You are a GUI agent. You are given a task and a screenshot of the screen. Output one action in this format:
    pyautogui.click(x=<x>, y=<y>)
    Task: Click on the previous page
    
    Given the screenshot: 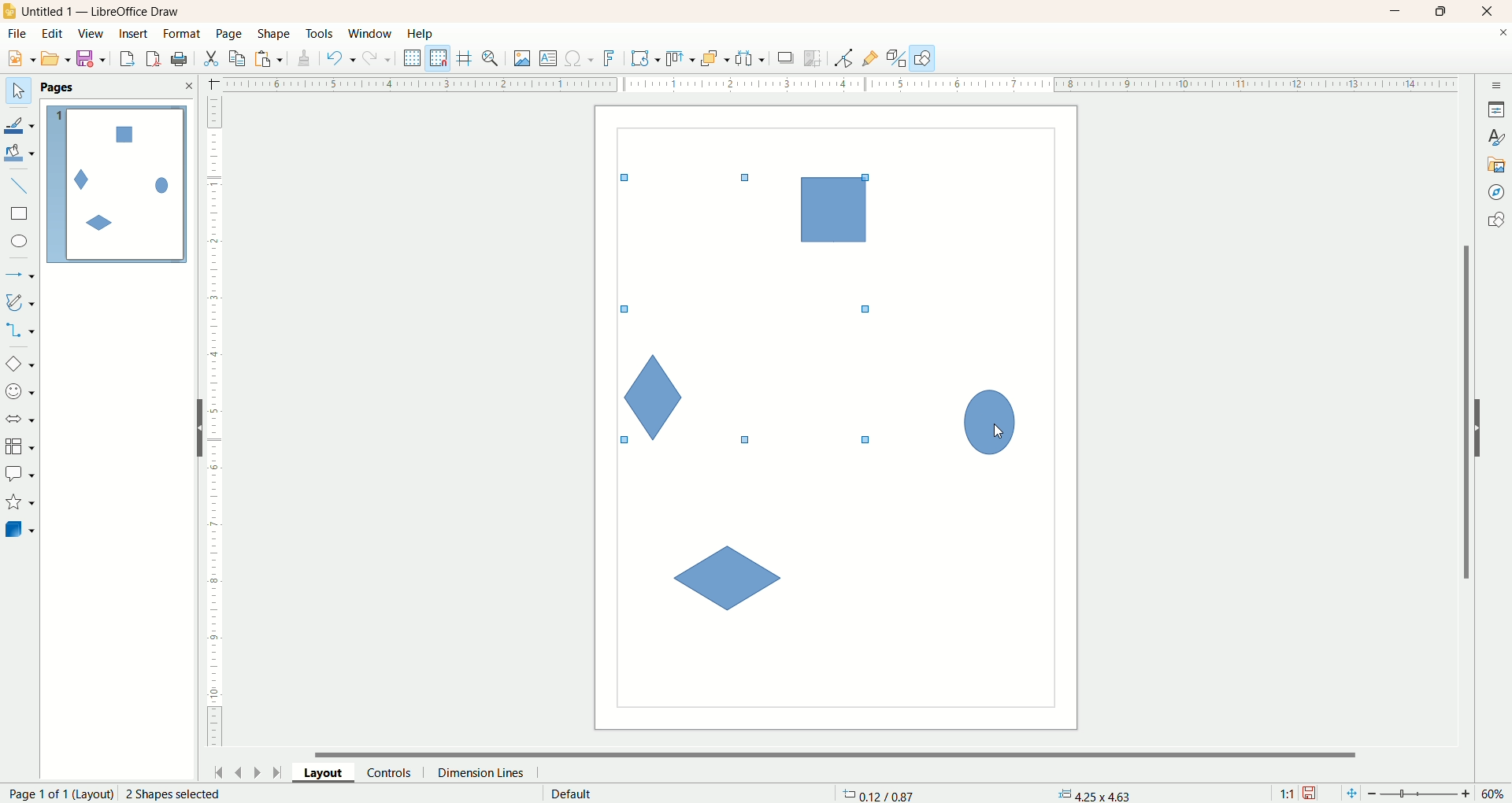 What is the action you would take?
    pyautogui.click(x=237, y=771)
    